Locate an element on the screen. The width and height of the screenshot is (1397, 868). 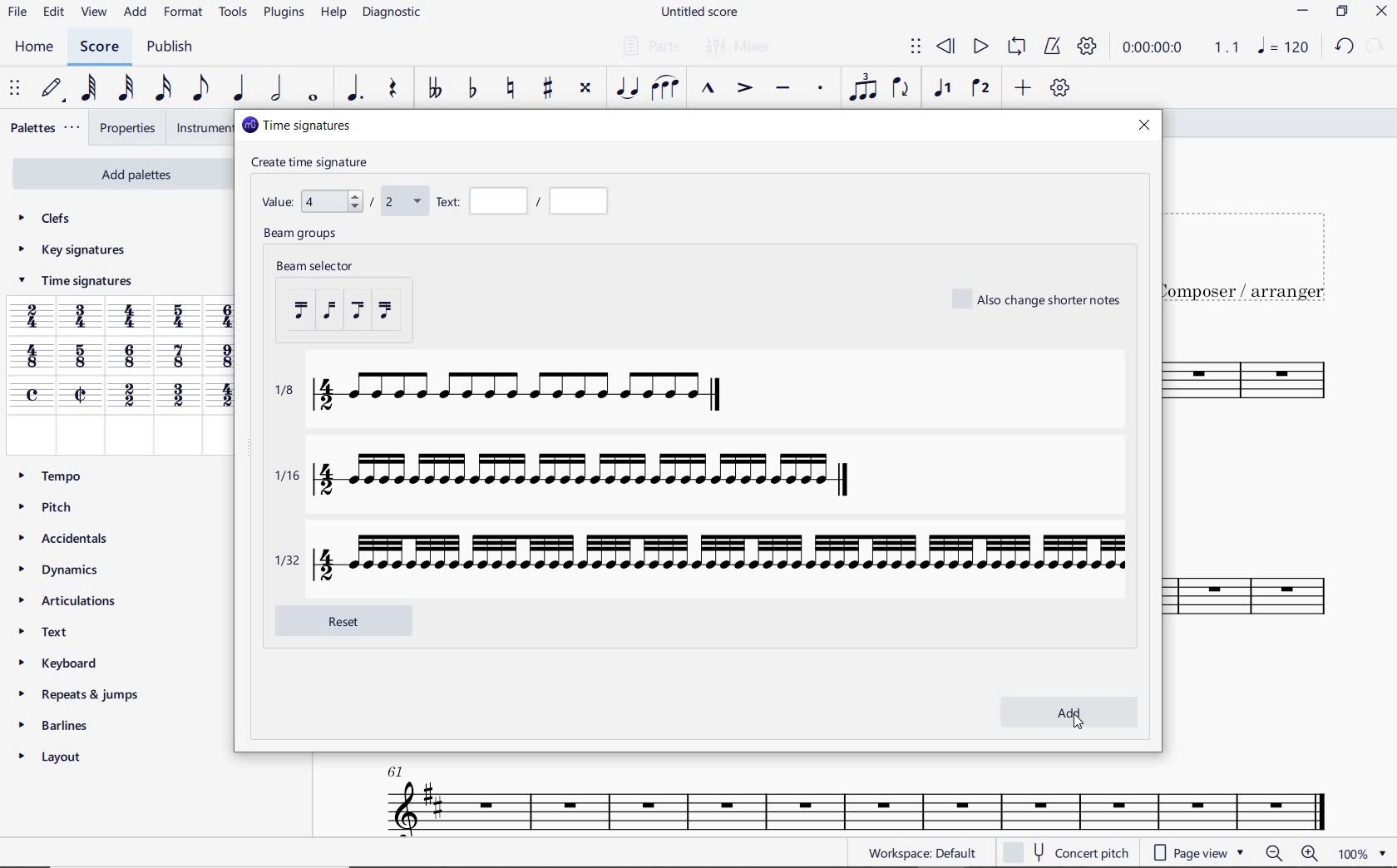
PROPERTIES is located at coordinates (126, 129).